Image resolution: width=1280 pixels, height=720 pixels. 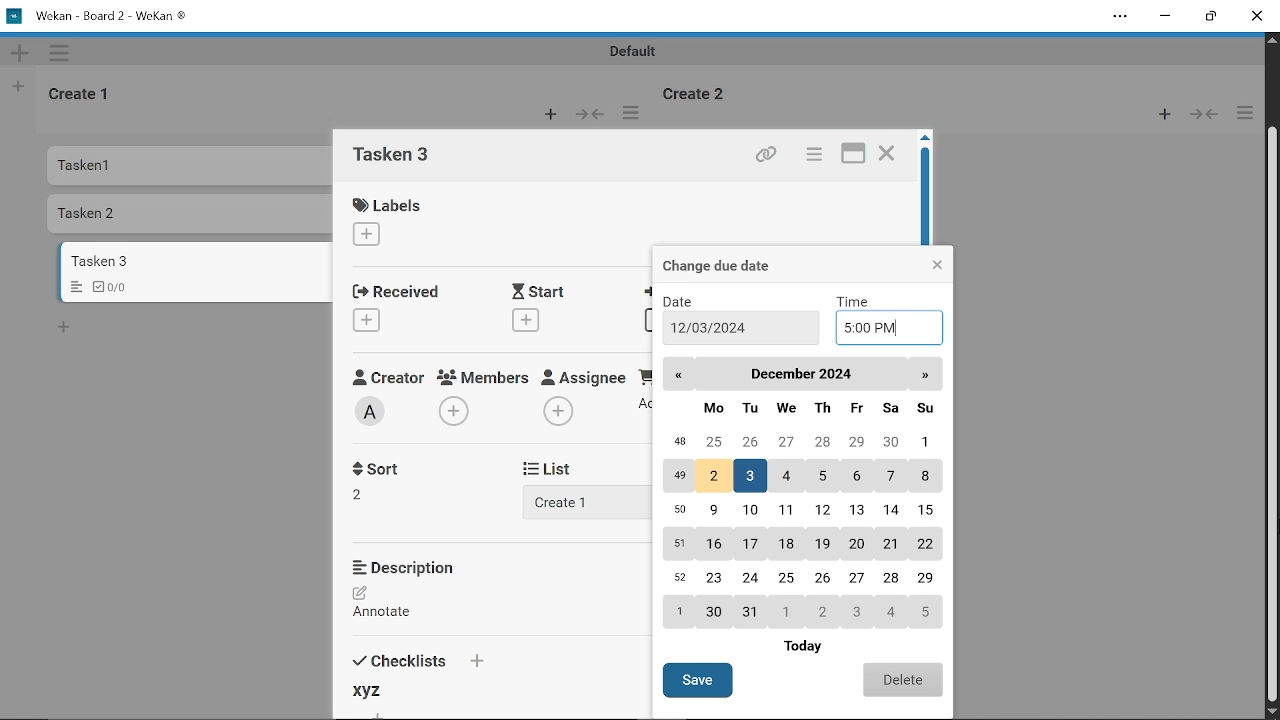 I want to click on today, so click(x=816, y=645).